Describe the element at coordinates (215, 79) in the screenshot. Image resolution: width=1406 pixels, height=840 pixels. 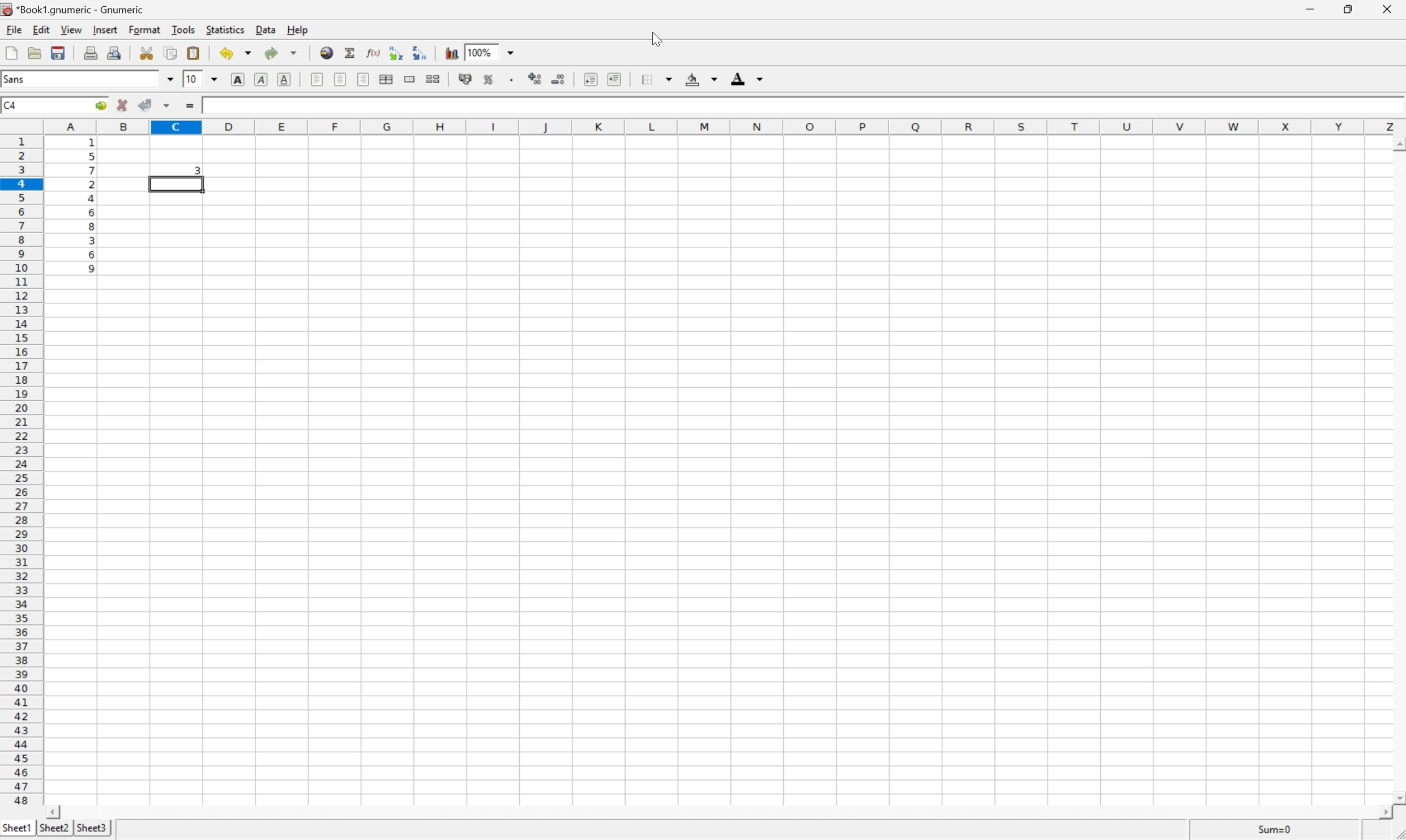
I see `drop down` at that location.